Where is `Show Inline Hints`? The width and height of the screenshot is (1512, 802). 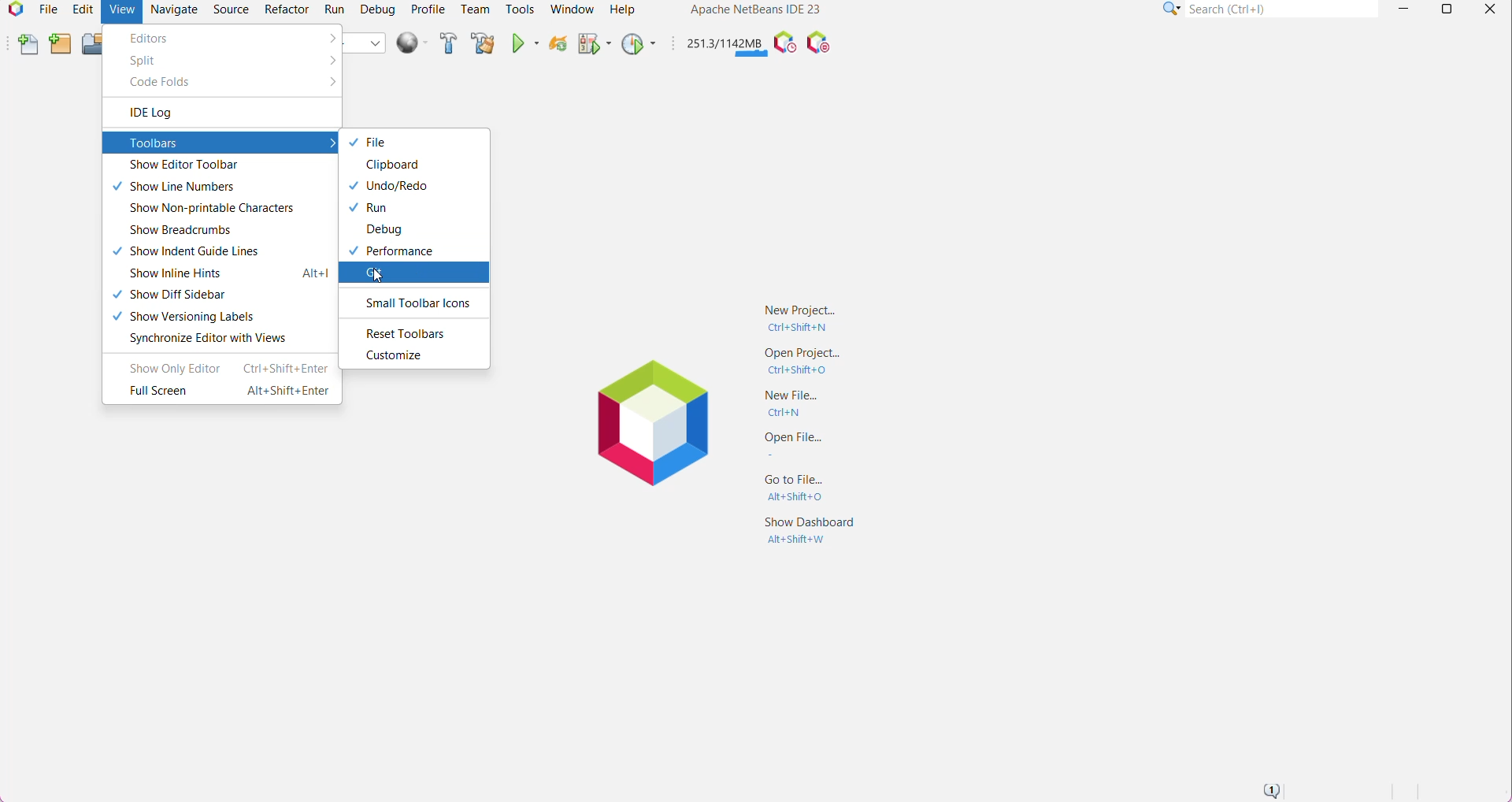 Show Inline Hints is located at coordinates (228, 274).